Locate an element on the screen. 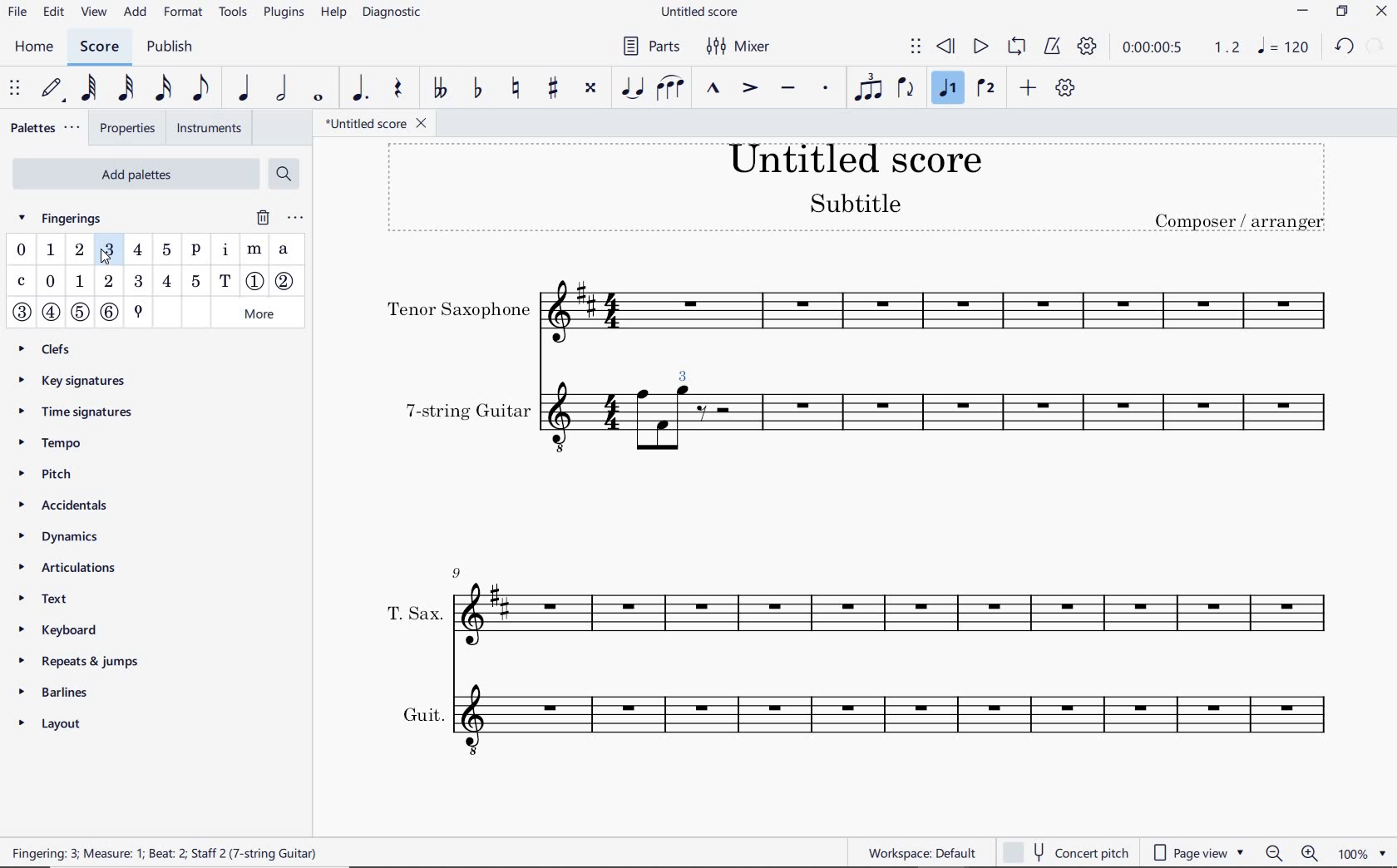 The image size is (1397, 868). rh guitar fingering i is located at coordinates (224, 252).